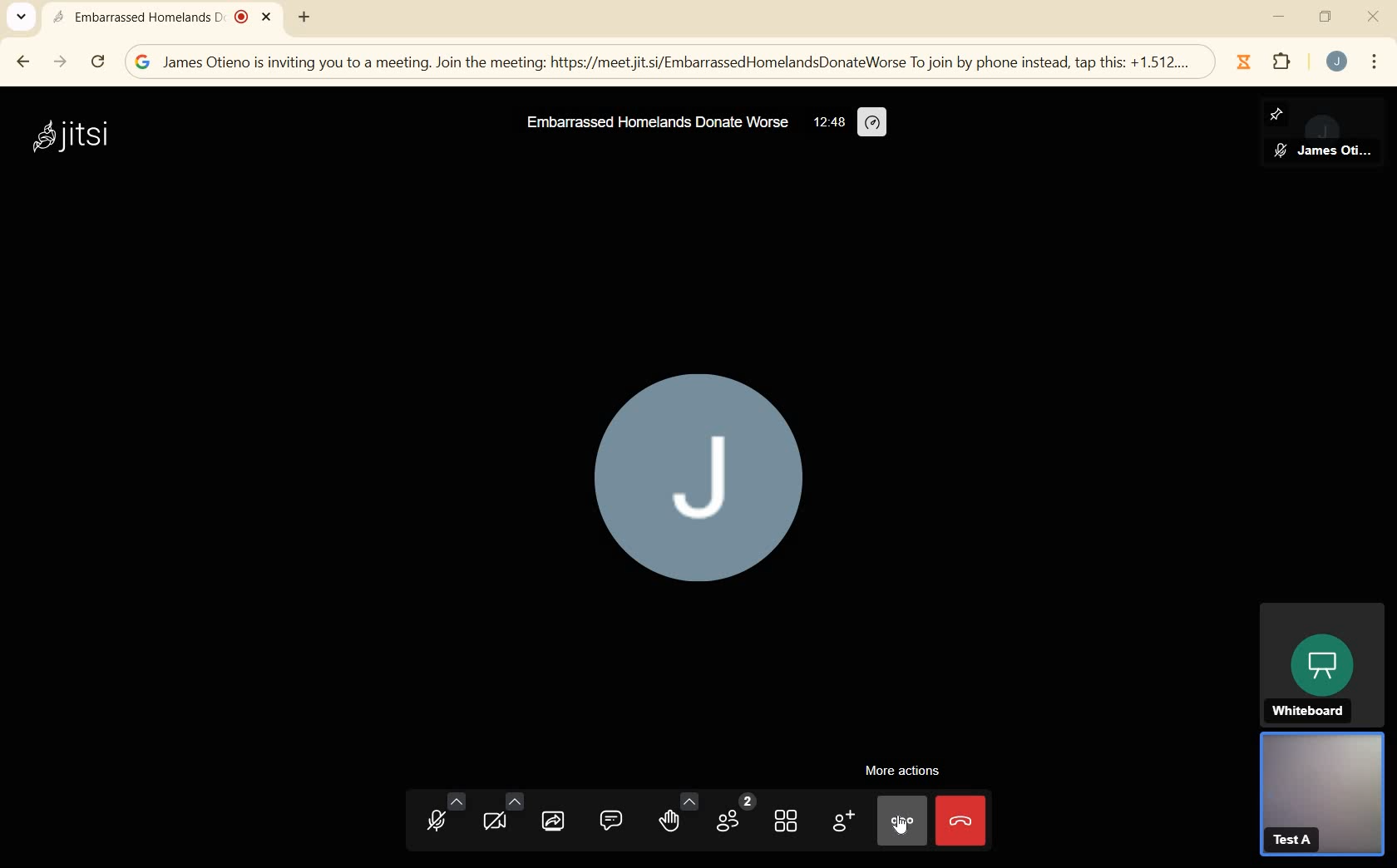 The image size is (1397, 868). What do you see at coordinates (734, 814) in the screenshot?
I see `participants (2)` at bounding box center [734, 814].